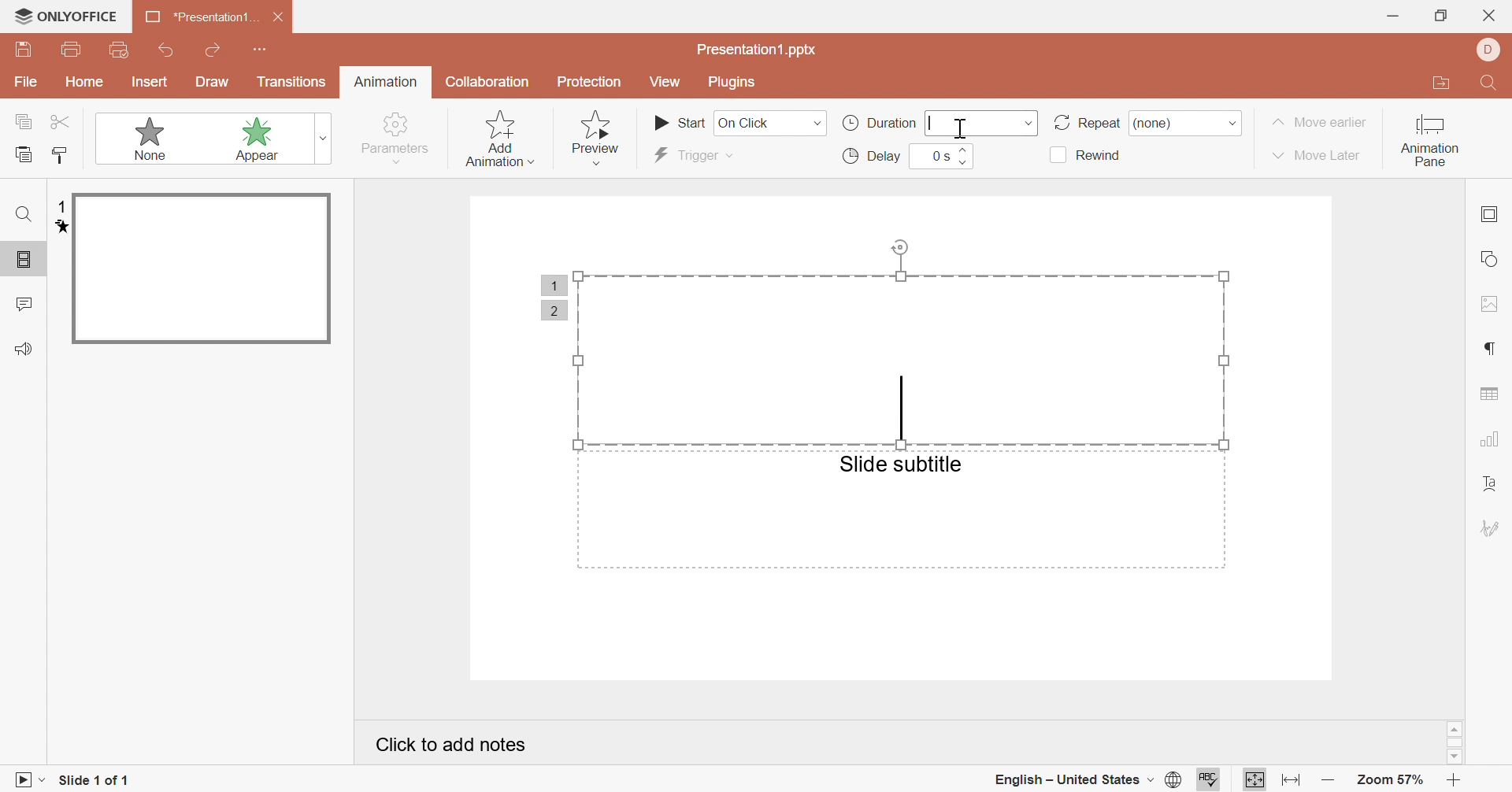 The width and height of the screenshot is (1512, 792). Describe the element at coordinates (1177, 781) in the screenshot. I see `set document language` at that location.